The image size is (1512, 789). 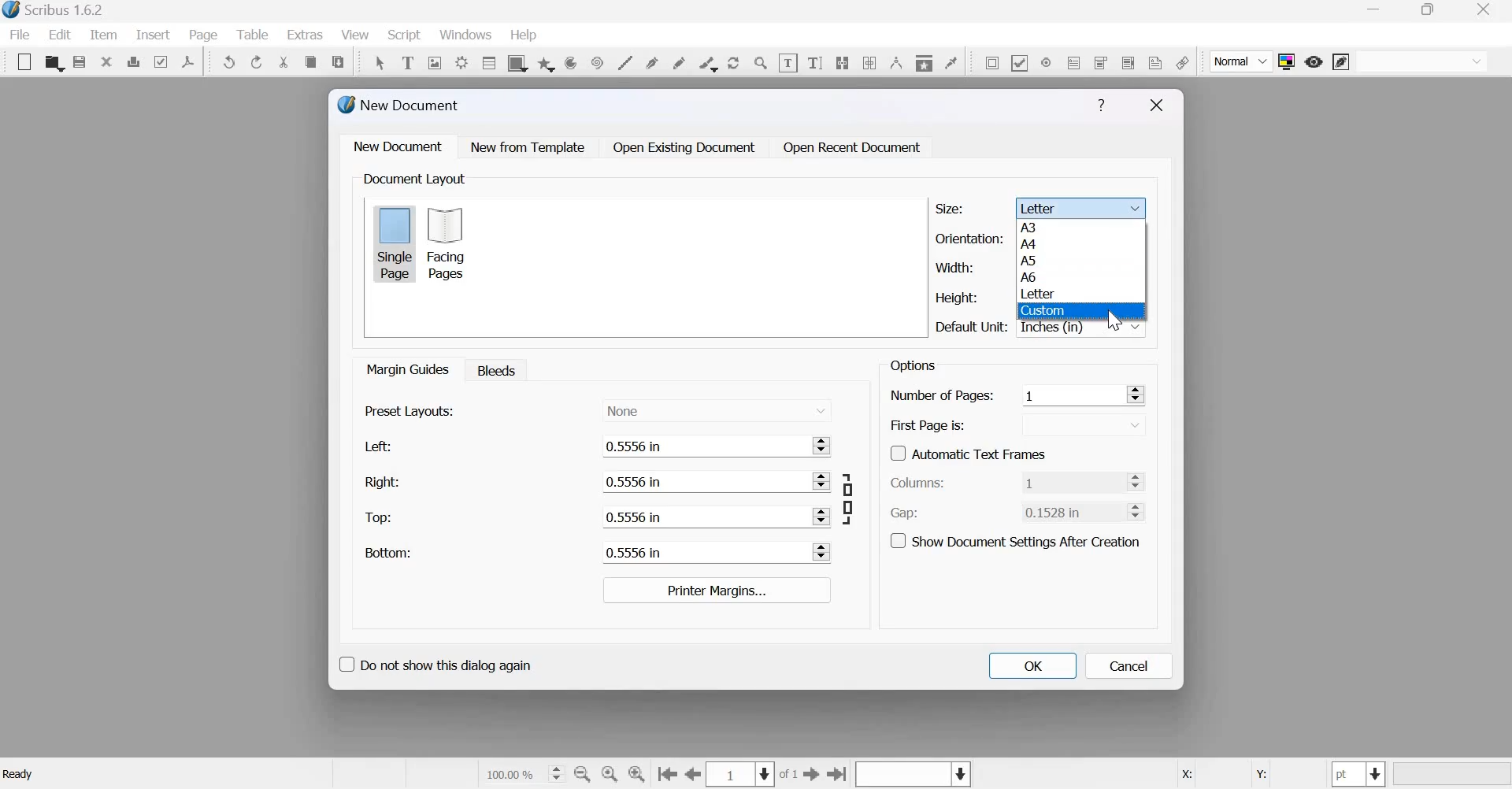 I want to click on Letter, so click(x=1039, y=293).